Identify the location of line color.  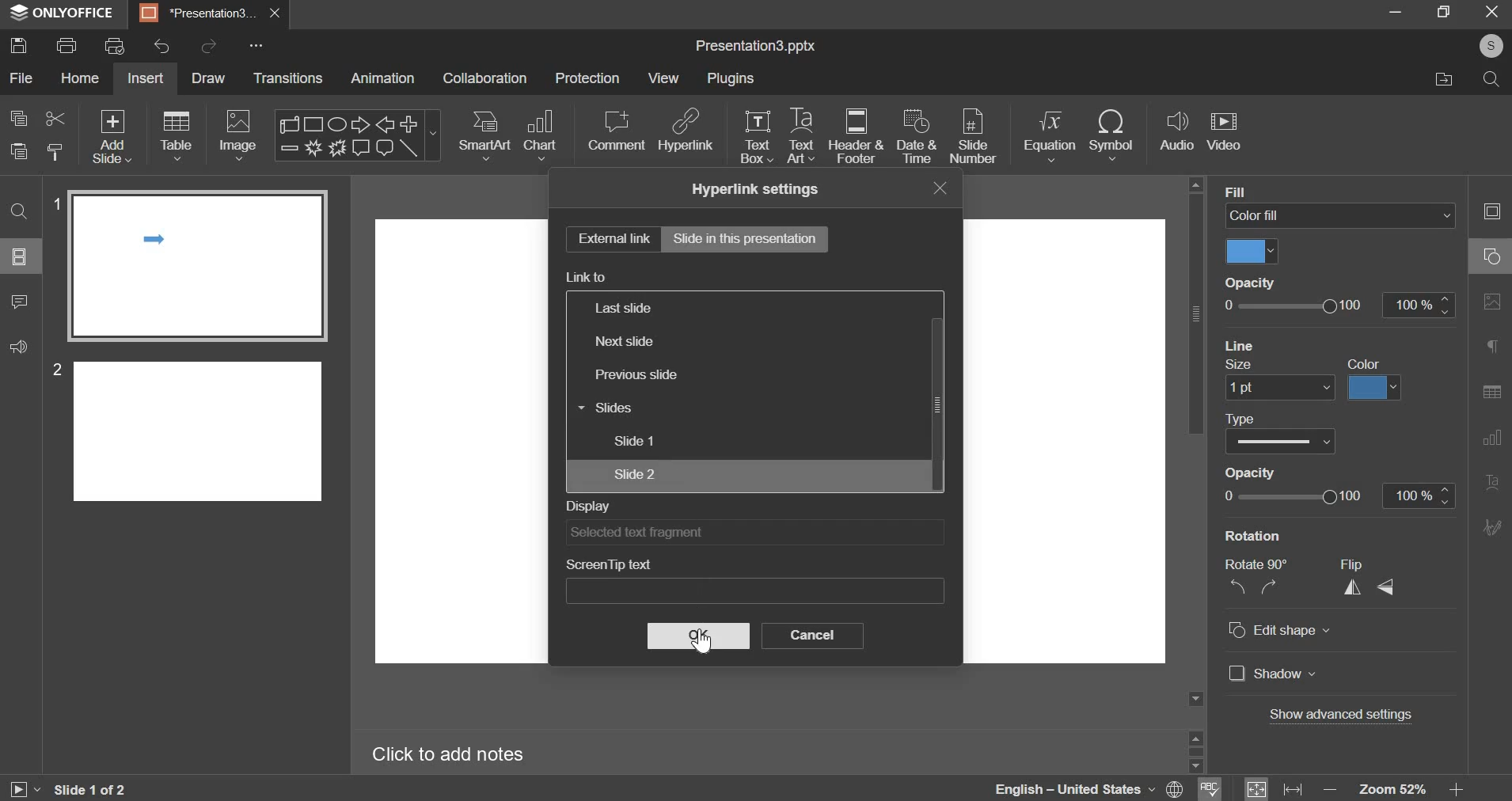
(1374, 389).